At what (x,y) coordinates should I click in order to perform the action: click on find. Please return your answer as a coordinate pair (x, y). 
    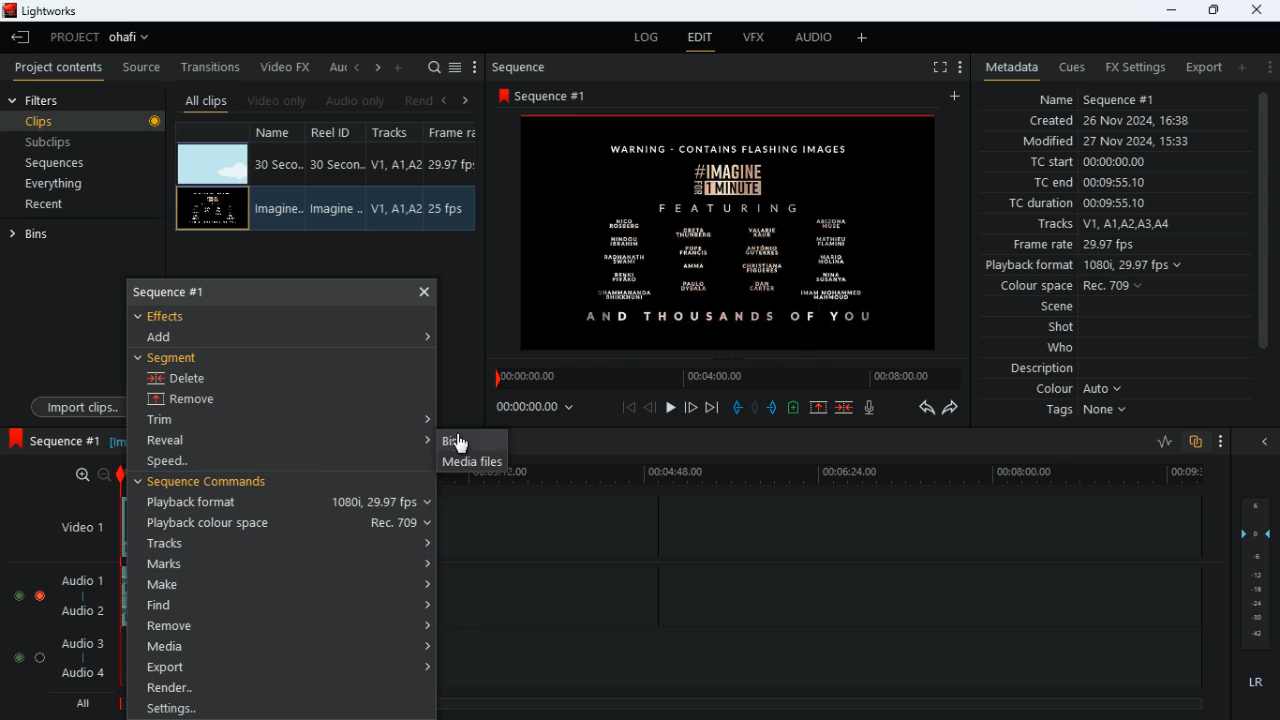
    Looking at the image, I should click on (287, 607).